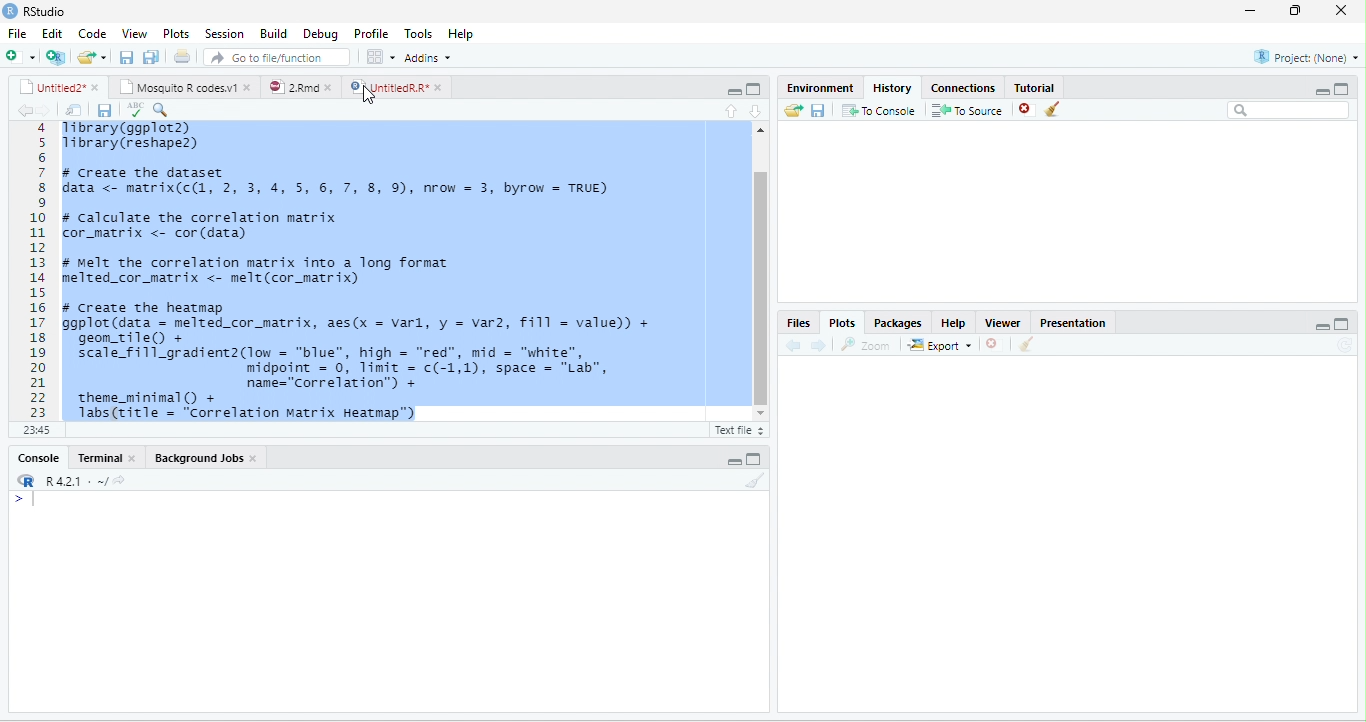 The height and width of the screenshot is (722, 1366). I want to click on files, so click(69, 108).